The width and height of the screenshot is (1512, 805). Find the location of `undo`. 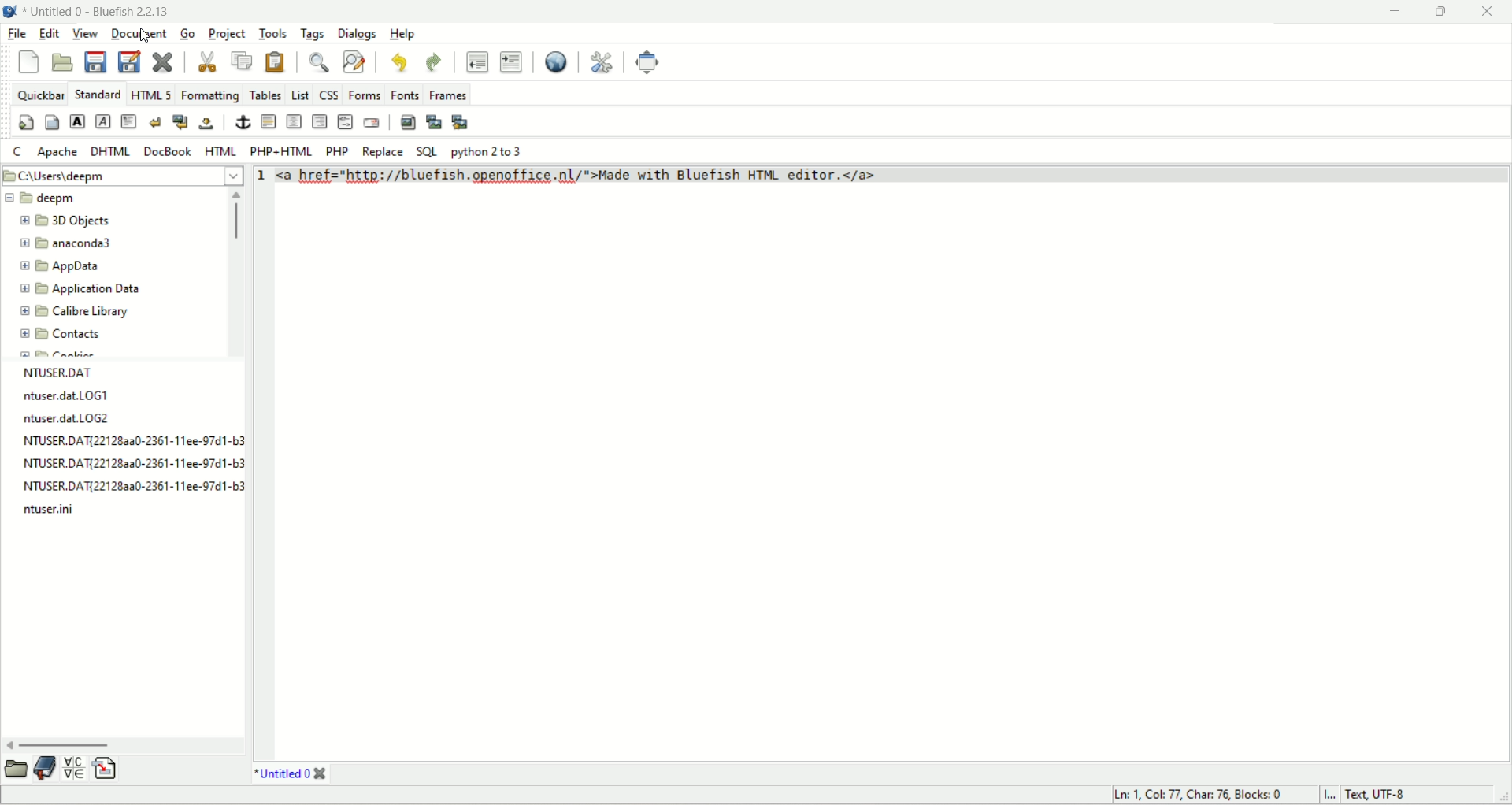

undo is located at coordinates (399, 63).